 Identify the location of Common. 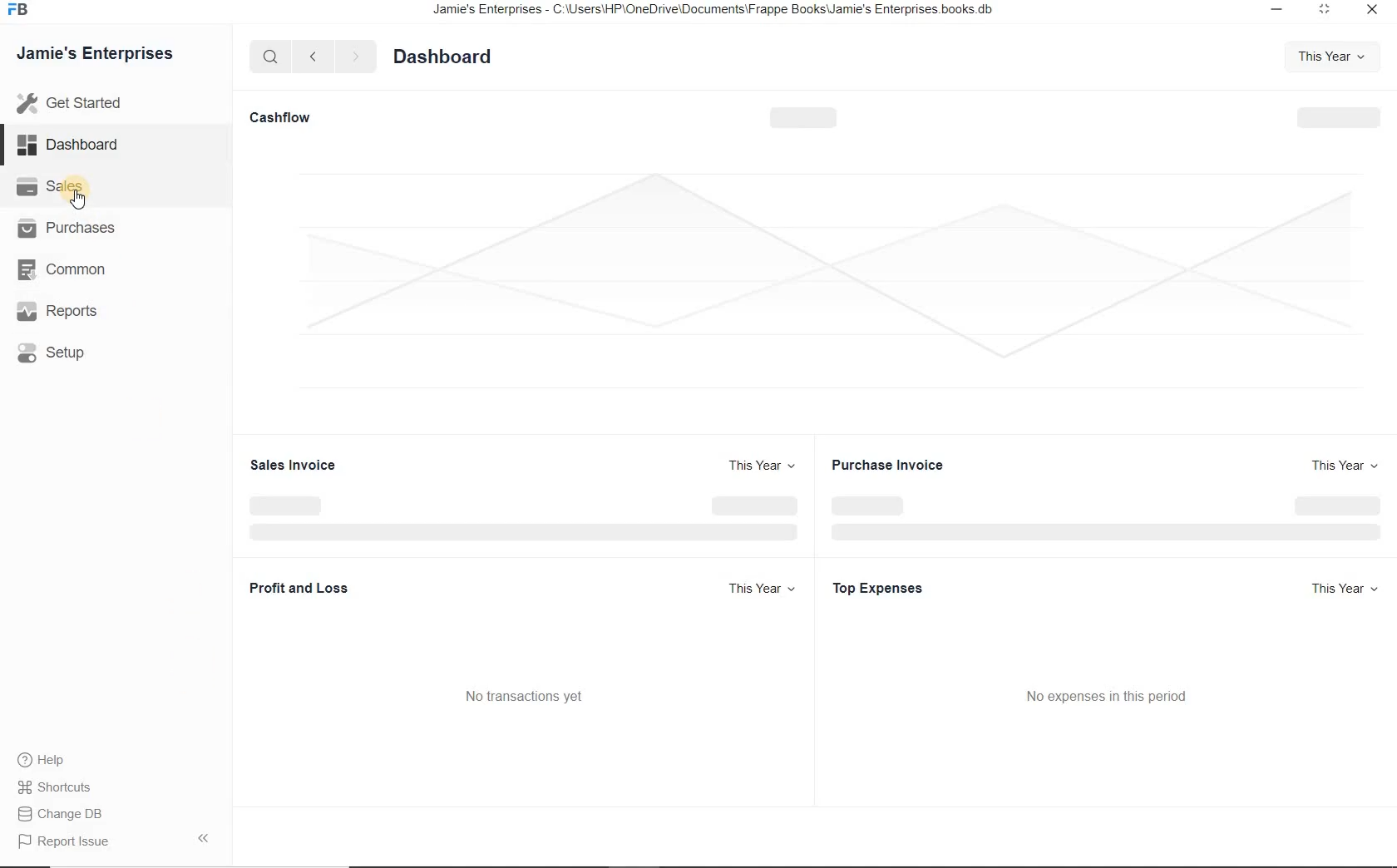
(68, 270).